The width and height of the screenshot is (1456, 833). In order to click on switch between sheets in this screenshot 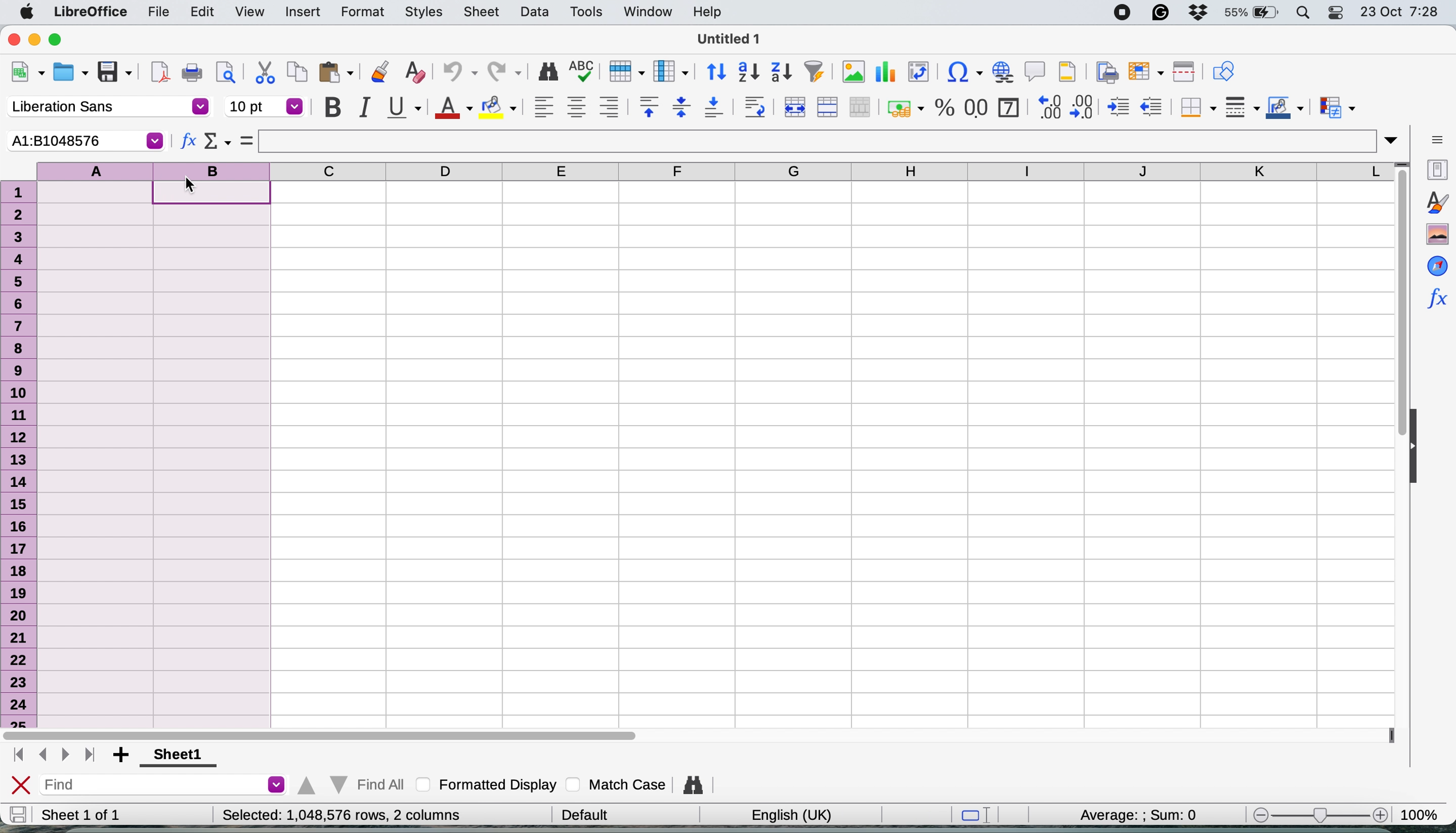, I will do `click(52, 755)`.